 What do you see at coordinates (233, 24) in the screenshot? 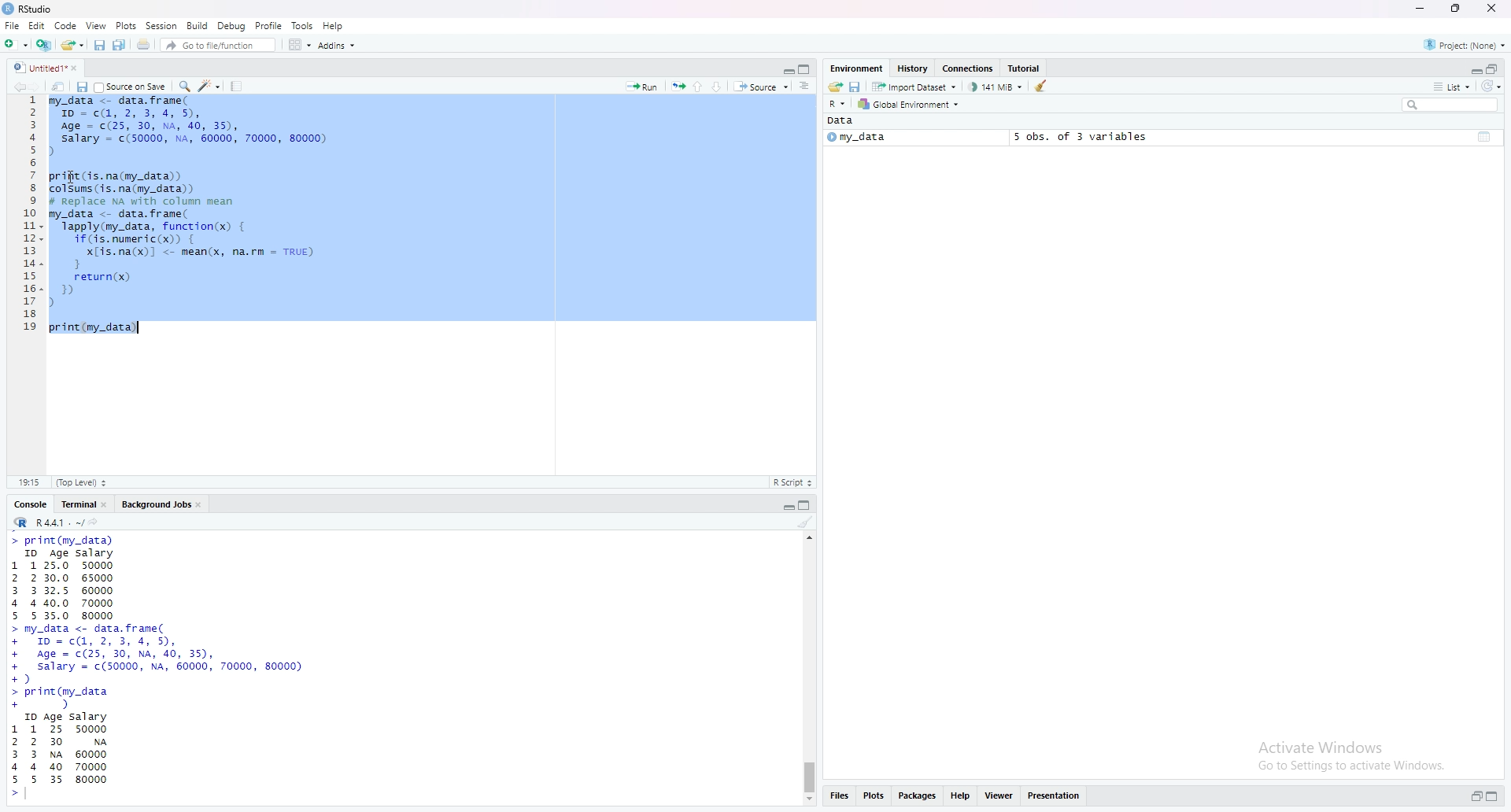
I see `Debug` at bounding box center [233, 24].